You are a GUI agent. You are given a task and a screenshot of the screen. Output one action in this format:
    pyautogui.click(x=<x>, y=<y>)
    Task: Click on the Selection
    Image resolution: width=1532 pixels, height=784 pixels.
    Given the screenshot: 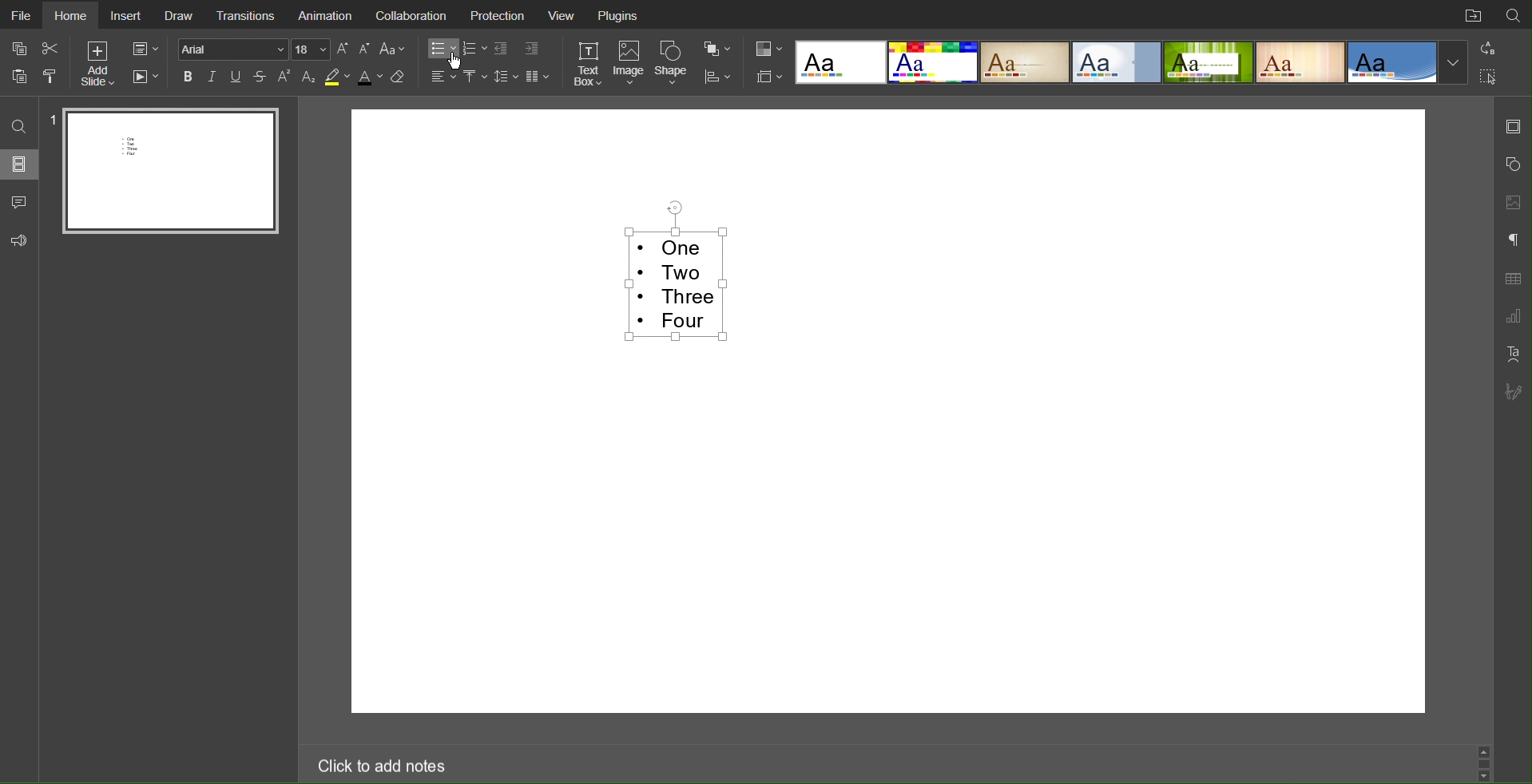 What is the action you would take?
    pyautogui.click(x=1486, y=75)
    